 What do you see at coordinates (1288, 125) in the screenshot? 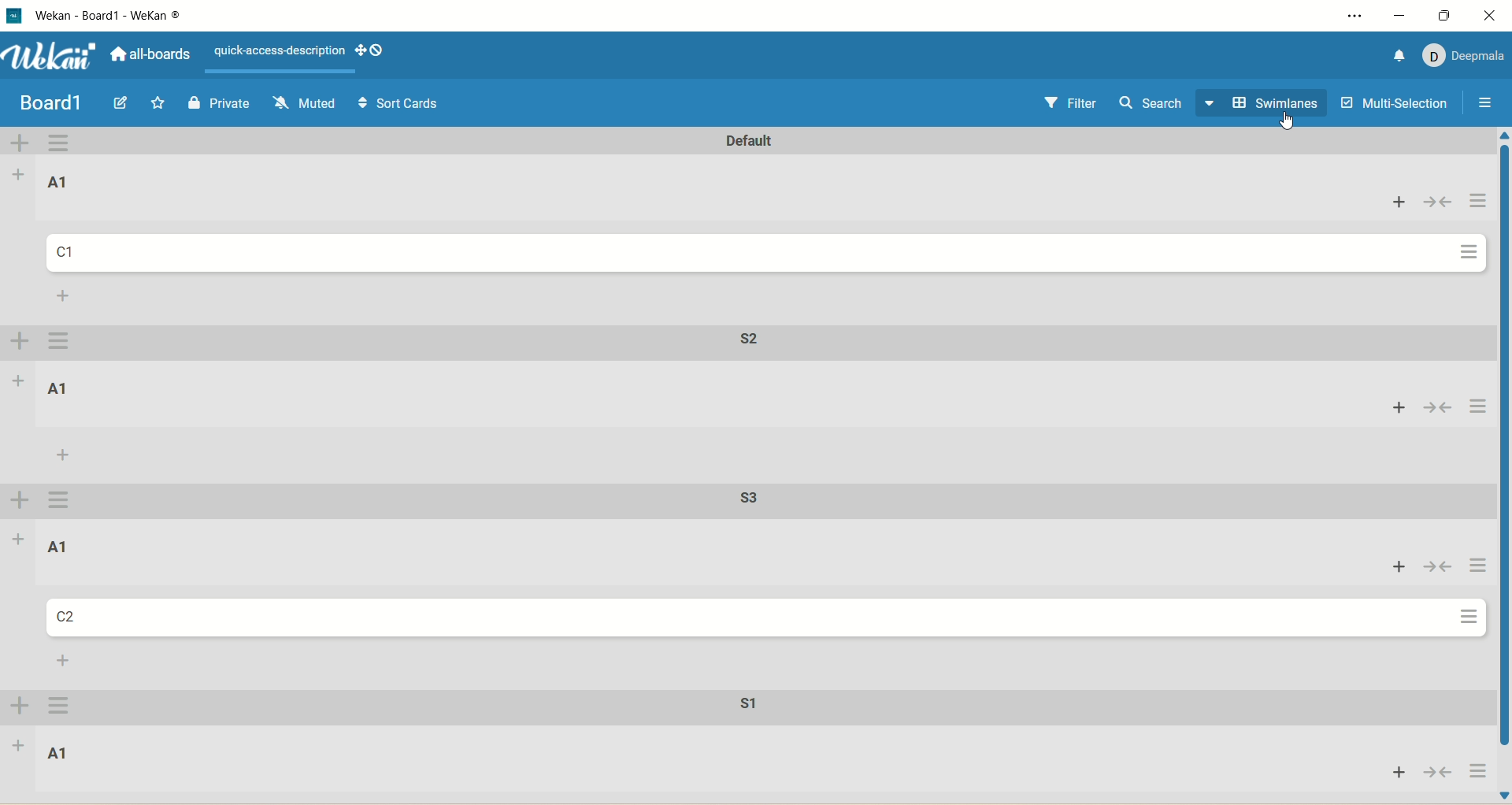
I see `cursor` at bounding box center [1288, 125].